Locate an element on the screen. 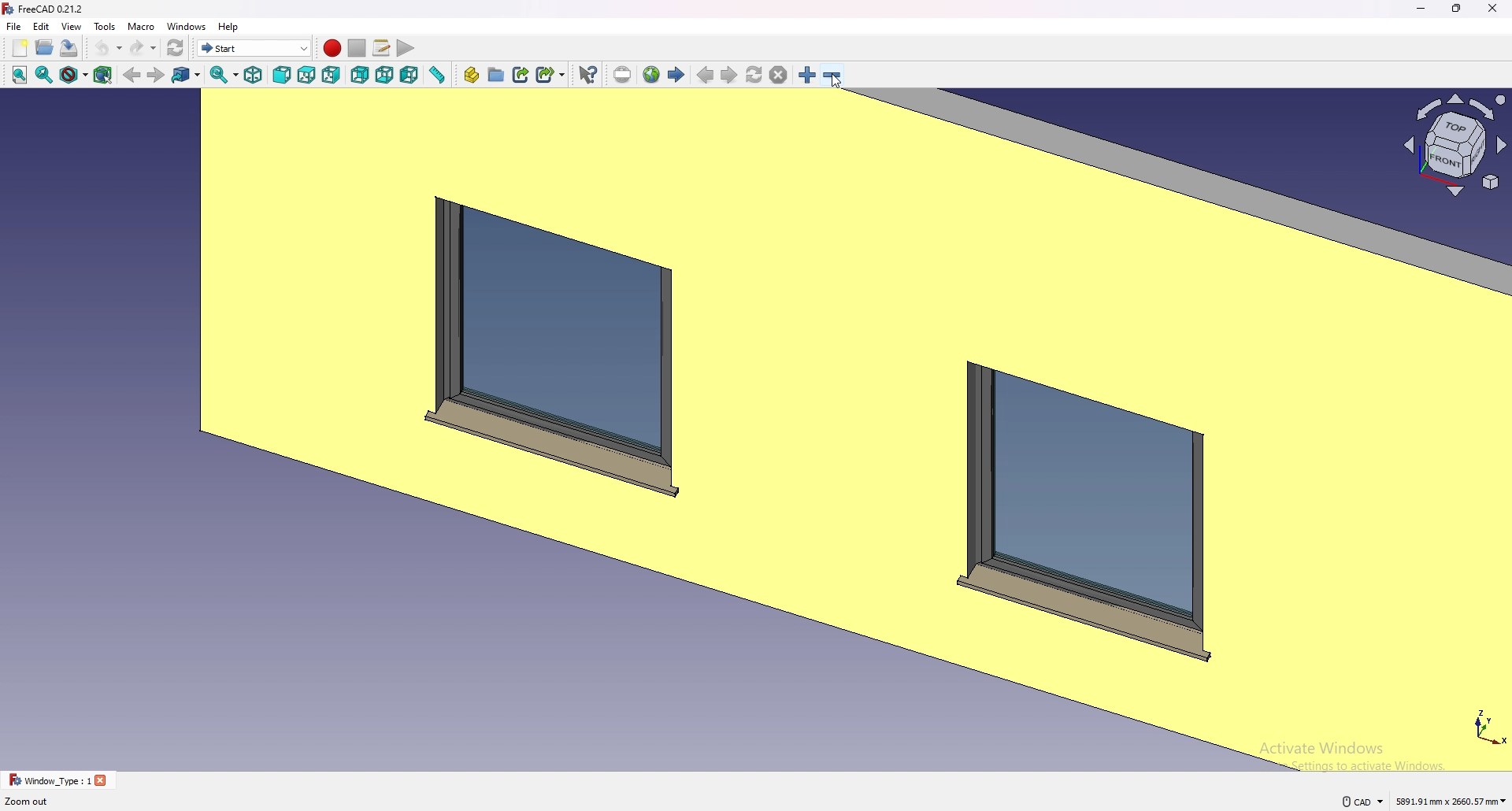  draw style is located at coordinates (74, 75).